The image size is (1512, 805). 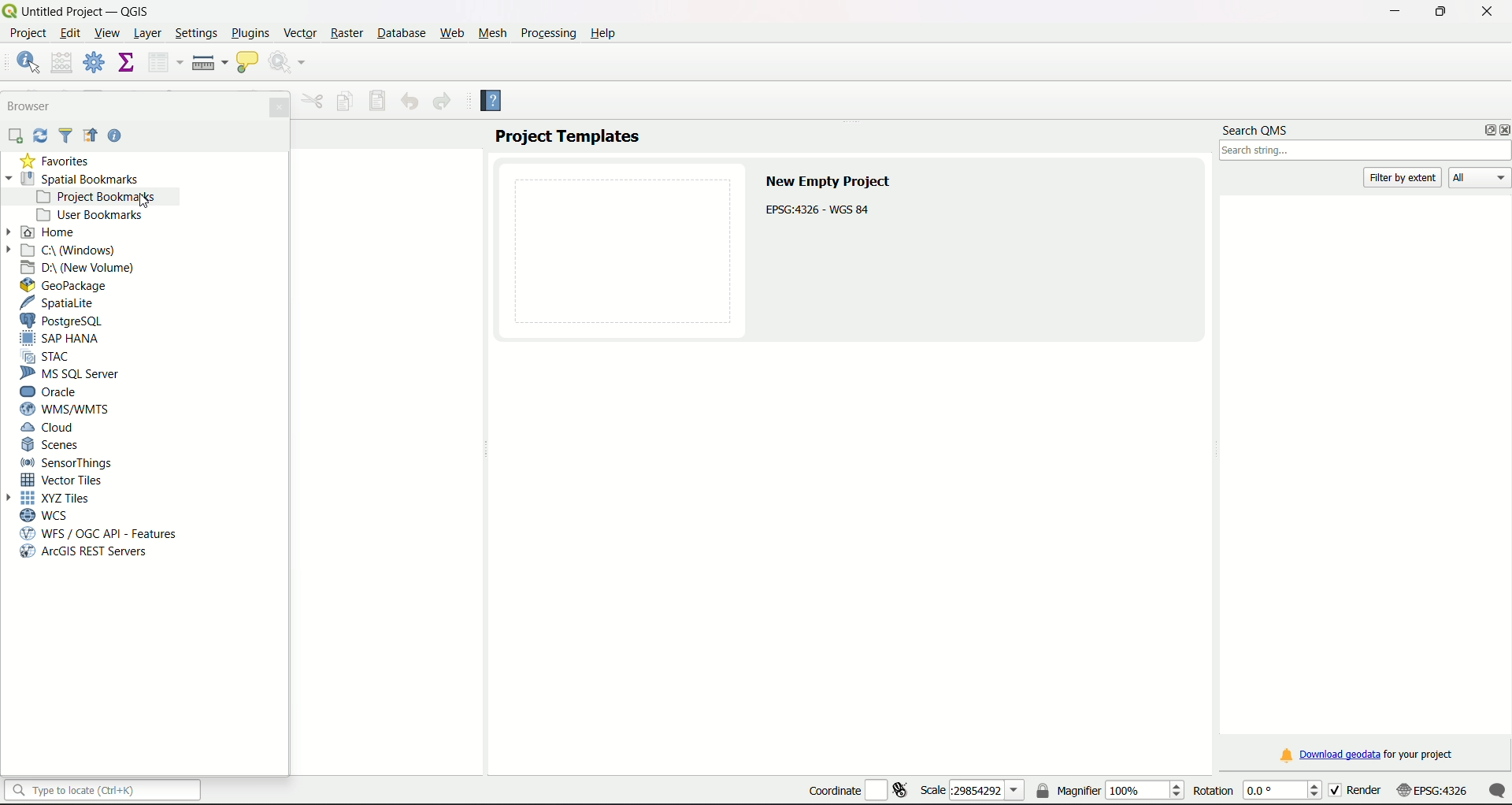 What do you see at coordinates (1369, 791) in the screenshot?
I see `render` at bounding box center [1369, 791].